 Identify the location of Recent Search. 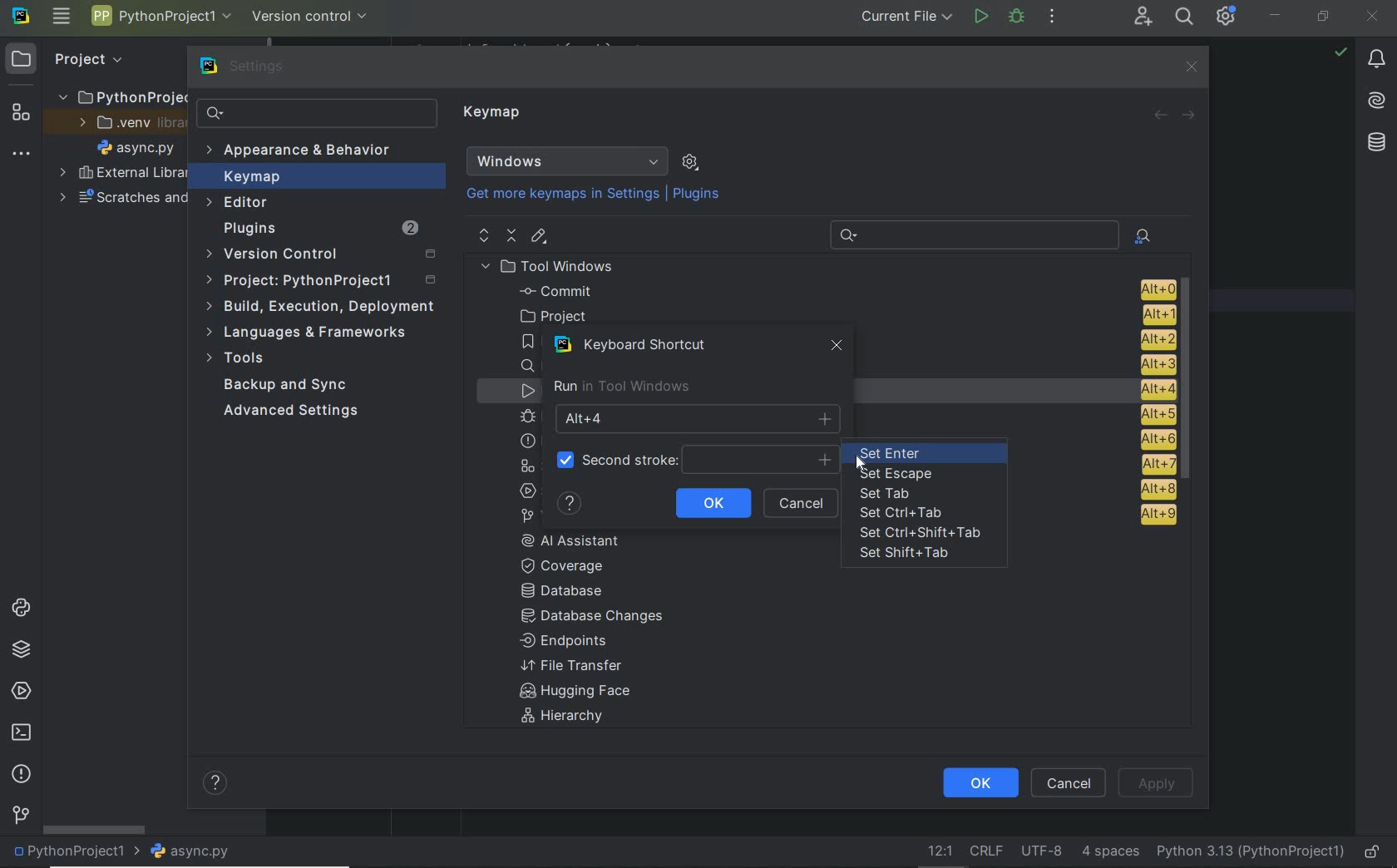
(971, 233).